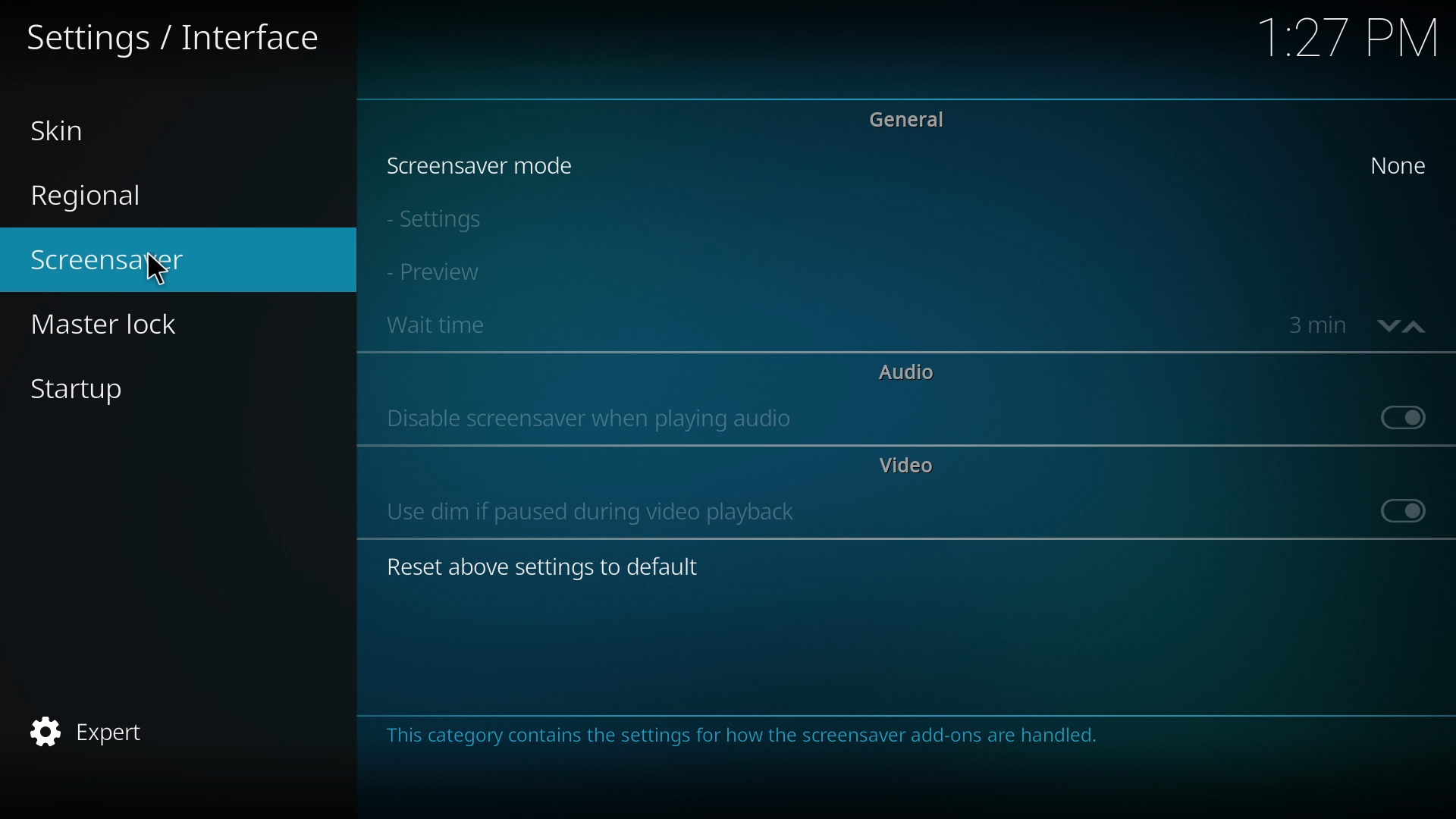  What do you see at coordinates (170, 388) in the screenshot?
I see `startup` at bounding box center [170, 388].